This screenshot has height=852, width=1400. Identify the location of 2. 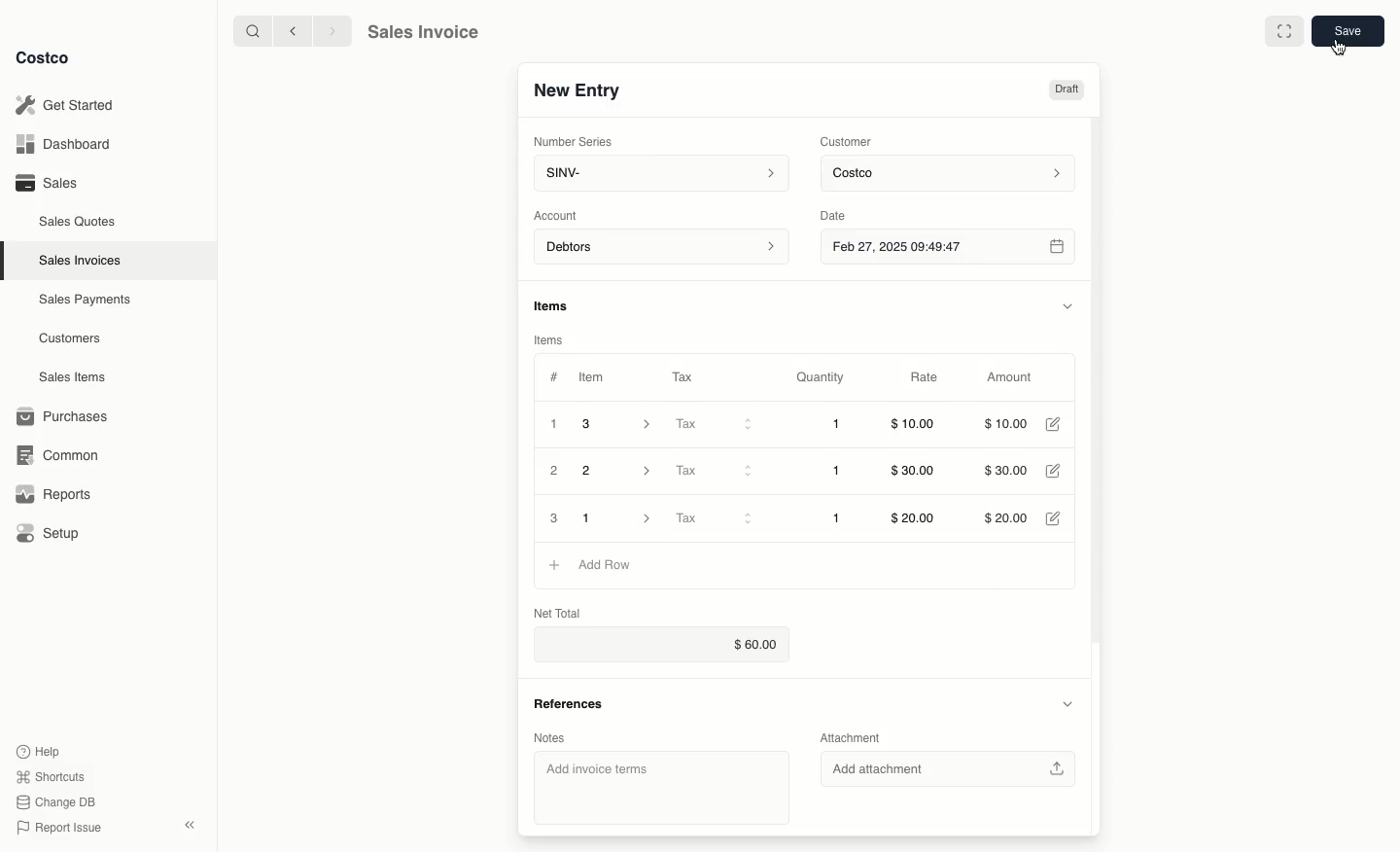
(555, 472).